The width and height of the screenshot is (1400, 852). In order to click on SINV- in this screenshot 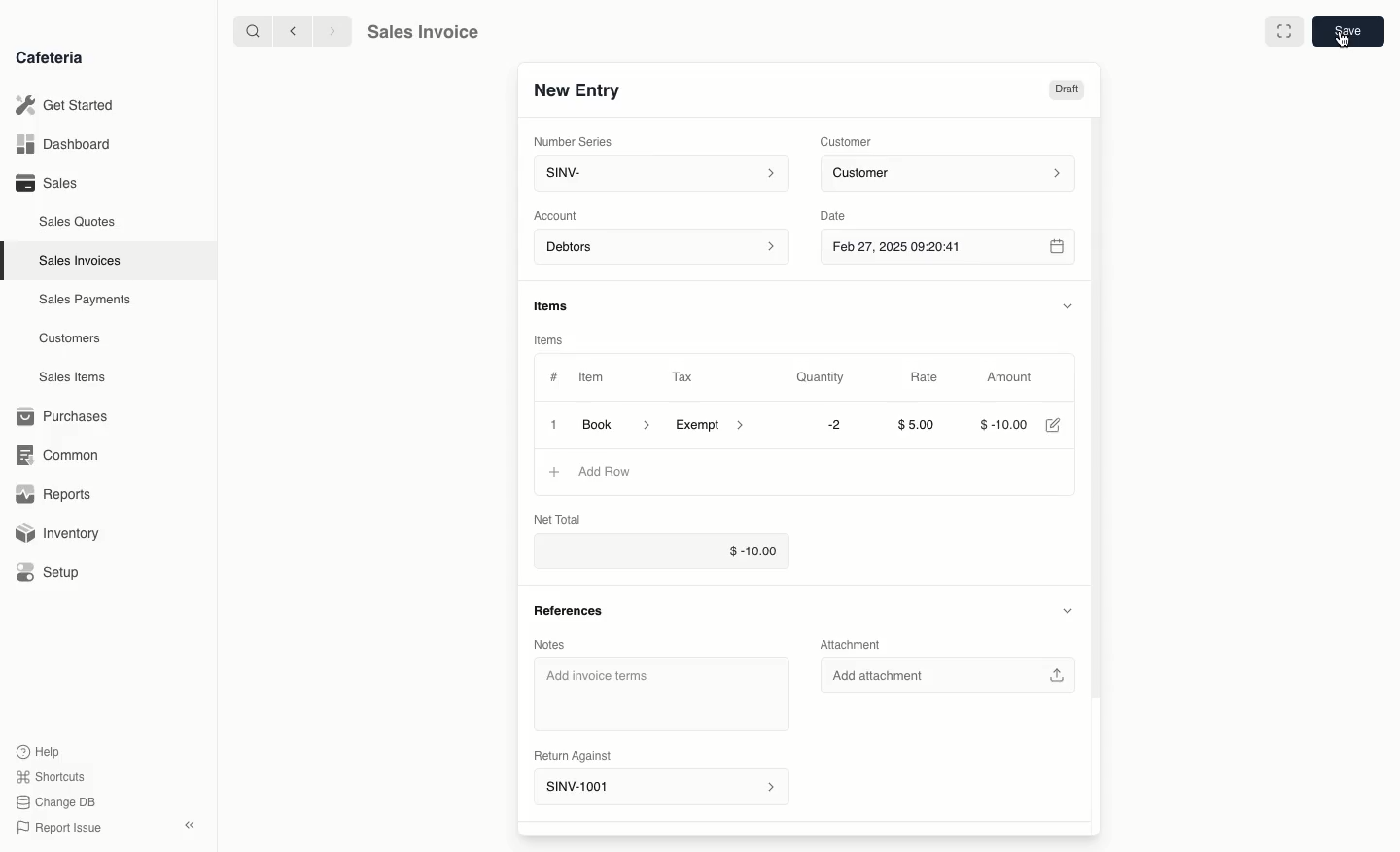, I will do `click(660, 173)`.